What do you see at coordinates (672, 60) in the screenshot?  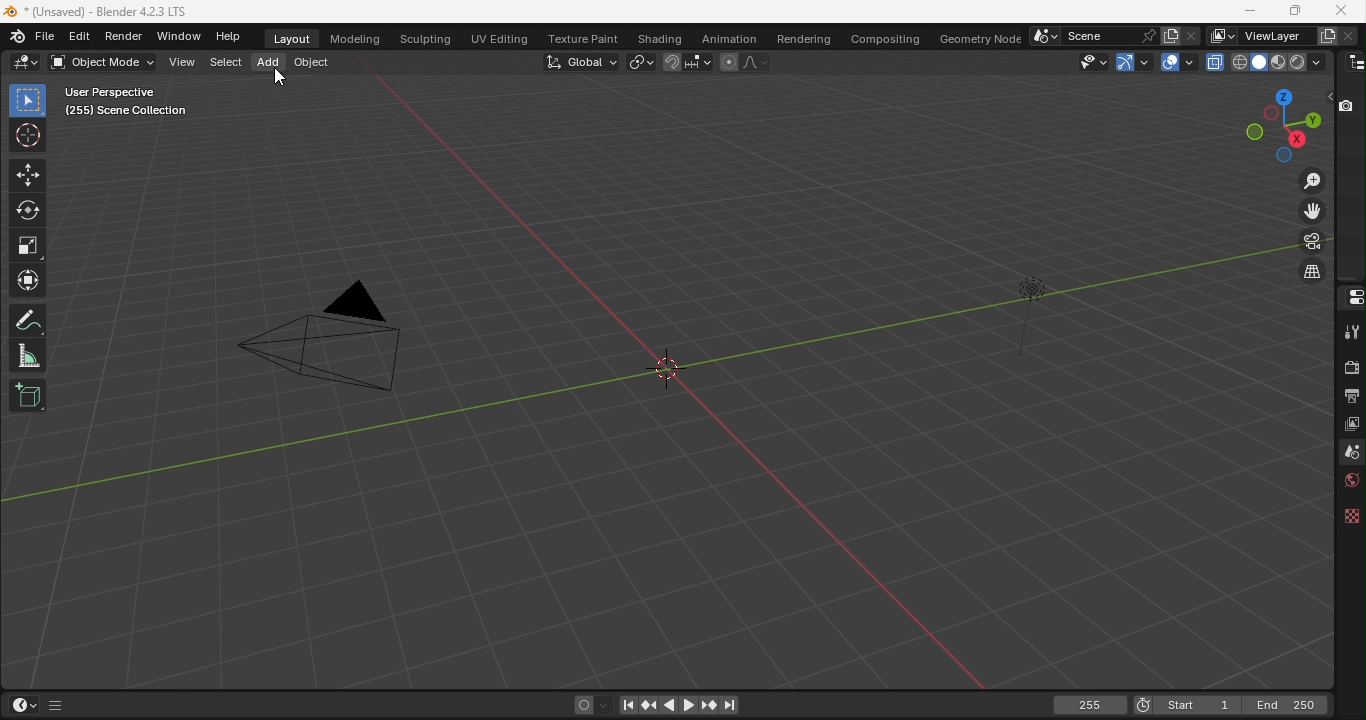 I see `Snap` at bounding box center [672, 60].